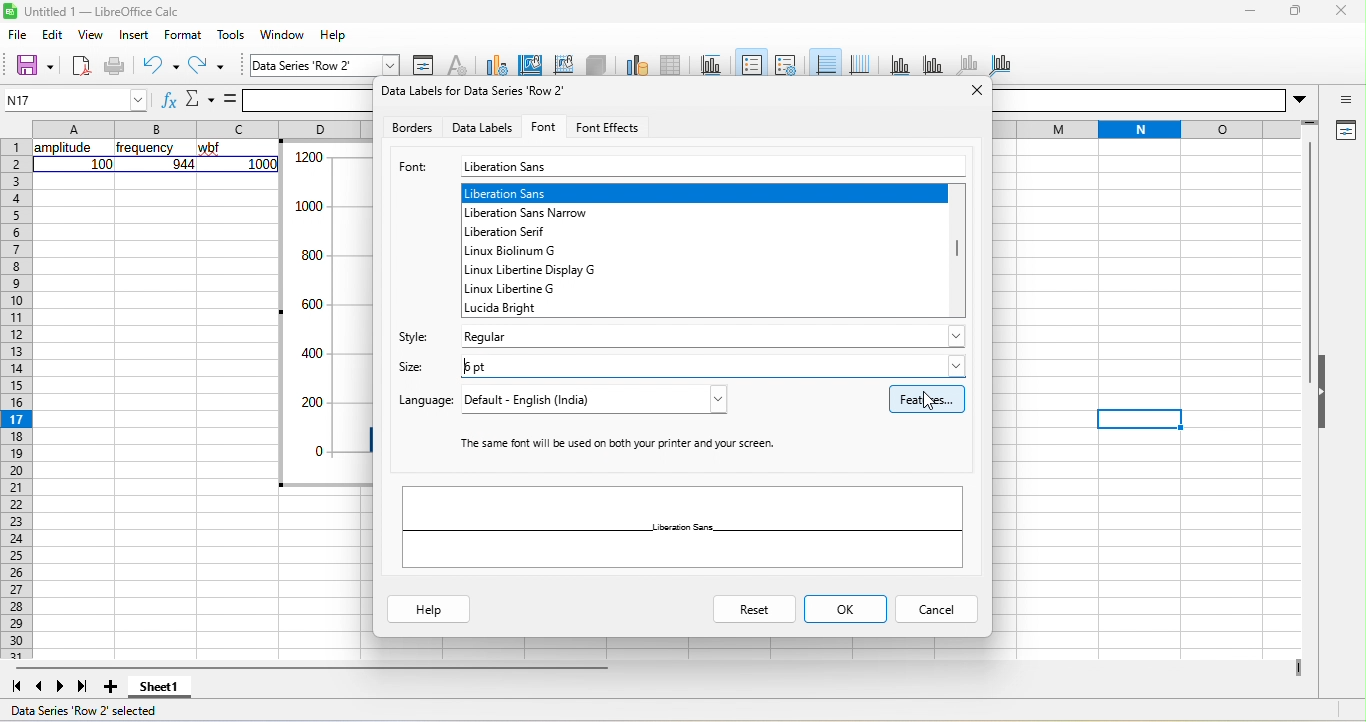 The height and width of the screenshot is (722, 1366). What do you see at coordinates (709, 333) in the screenshot?
I see `regular` at bounding box center [709, 333].